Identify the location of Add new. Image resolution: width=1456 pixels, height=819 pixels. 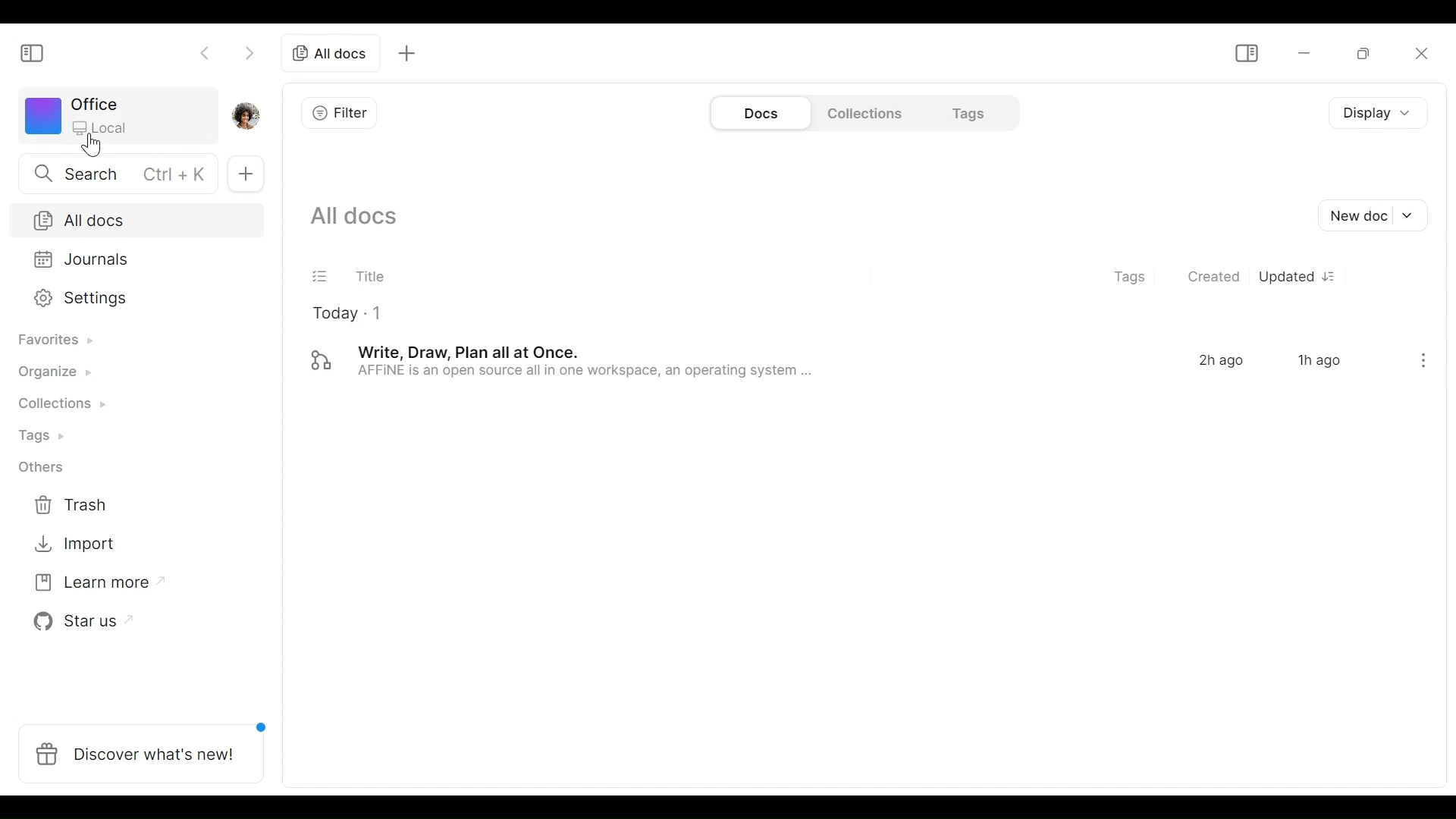
(245, 175).